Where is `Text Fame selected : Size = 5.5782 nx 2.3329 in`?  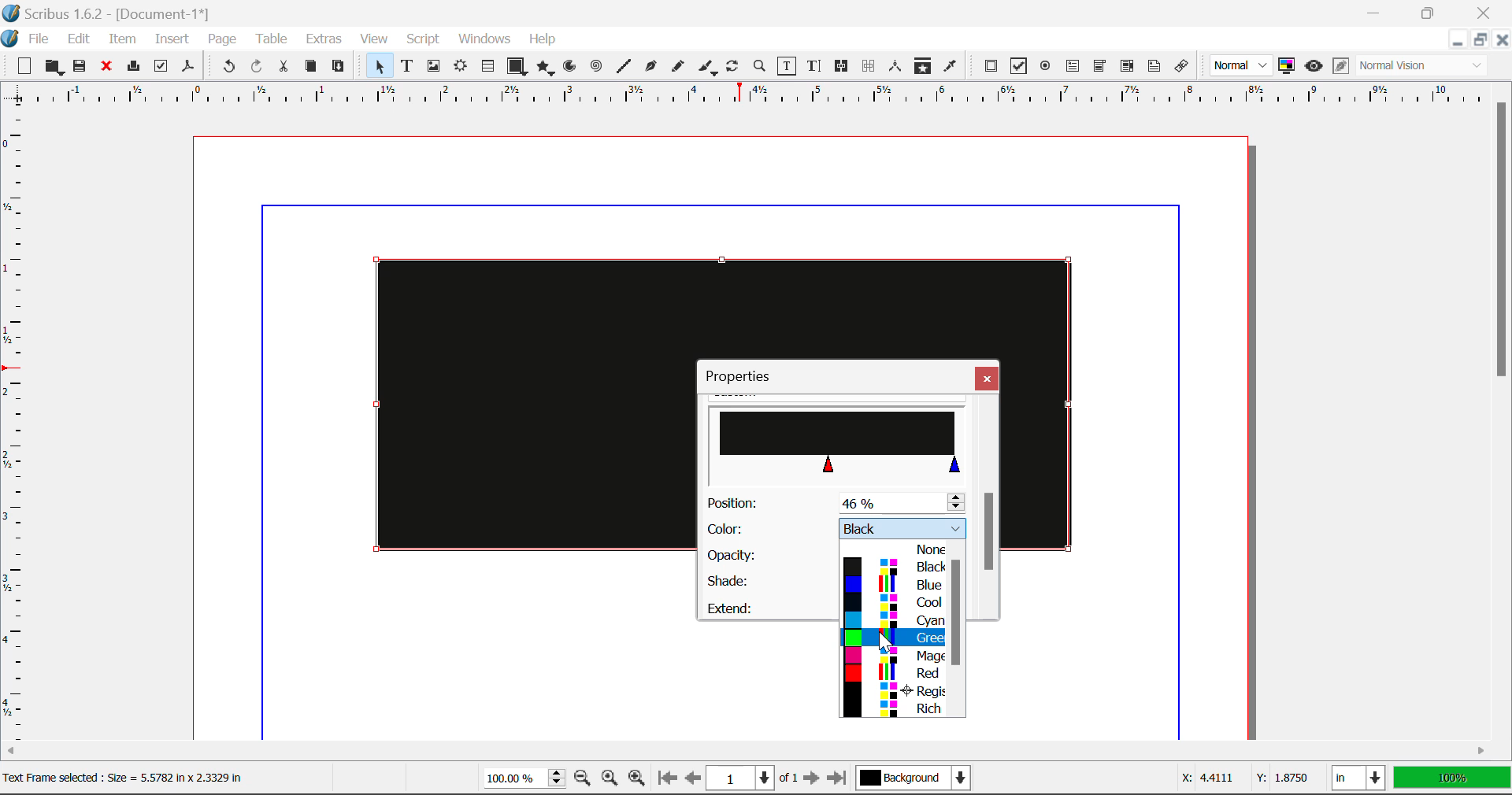 Text Fame selected : Size = 5.5782 nx 2.3329 in is located at coordinates (138, 778).